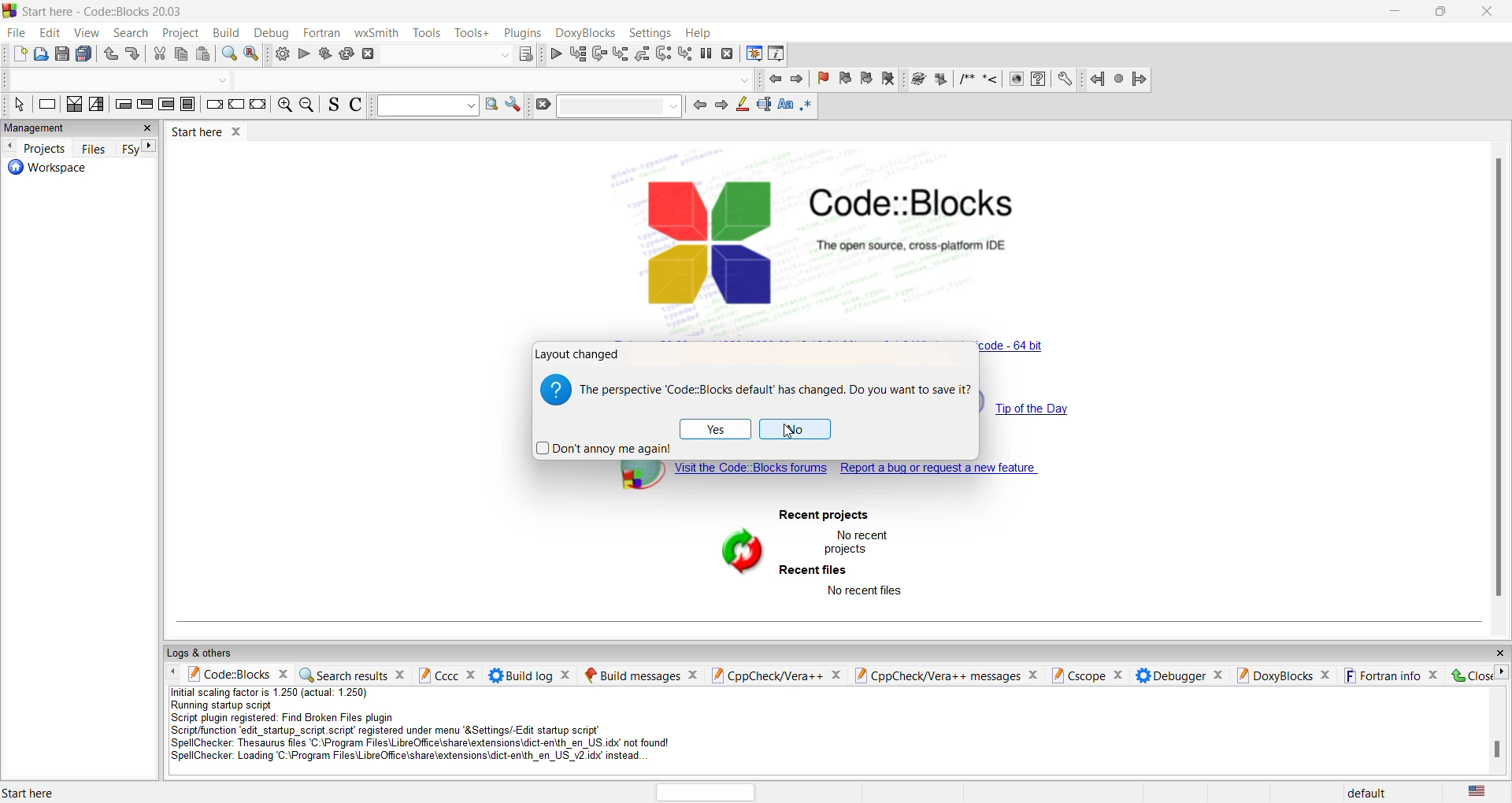 The image size is (1512, 803). What do you see at coordinates (990, 81) in the screenshot?
I see `single comment` at bounding box center [990, 81].